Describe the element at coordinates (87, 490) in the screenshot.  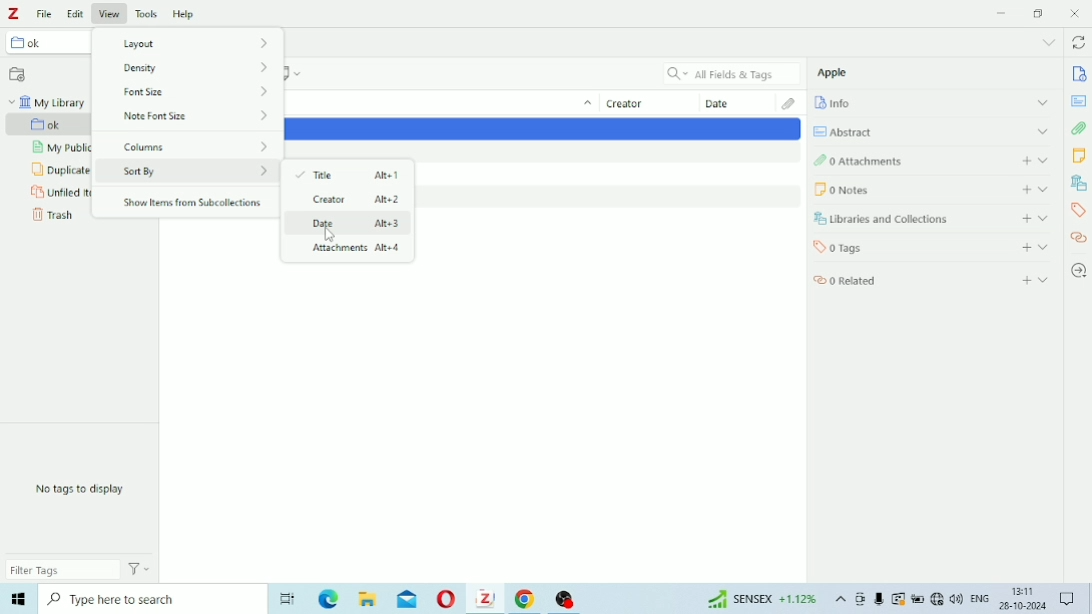
I see `No tags to display` at that location.